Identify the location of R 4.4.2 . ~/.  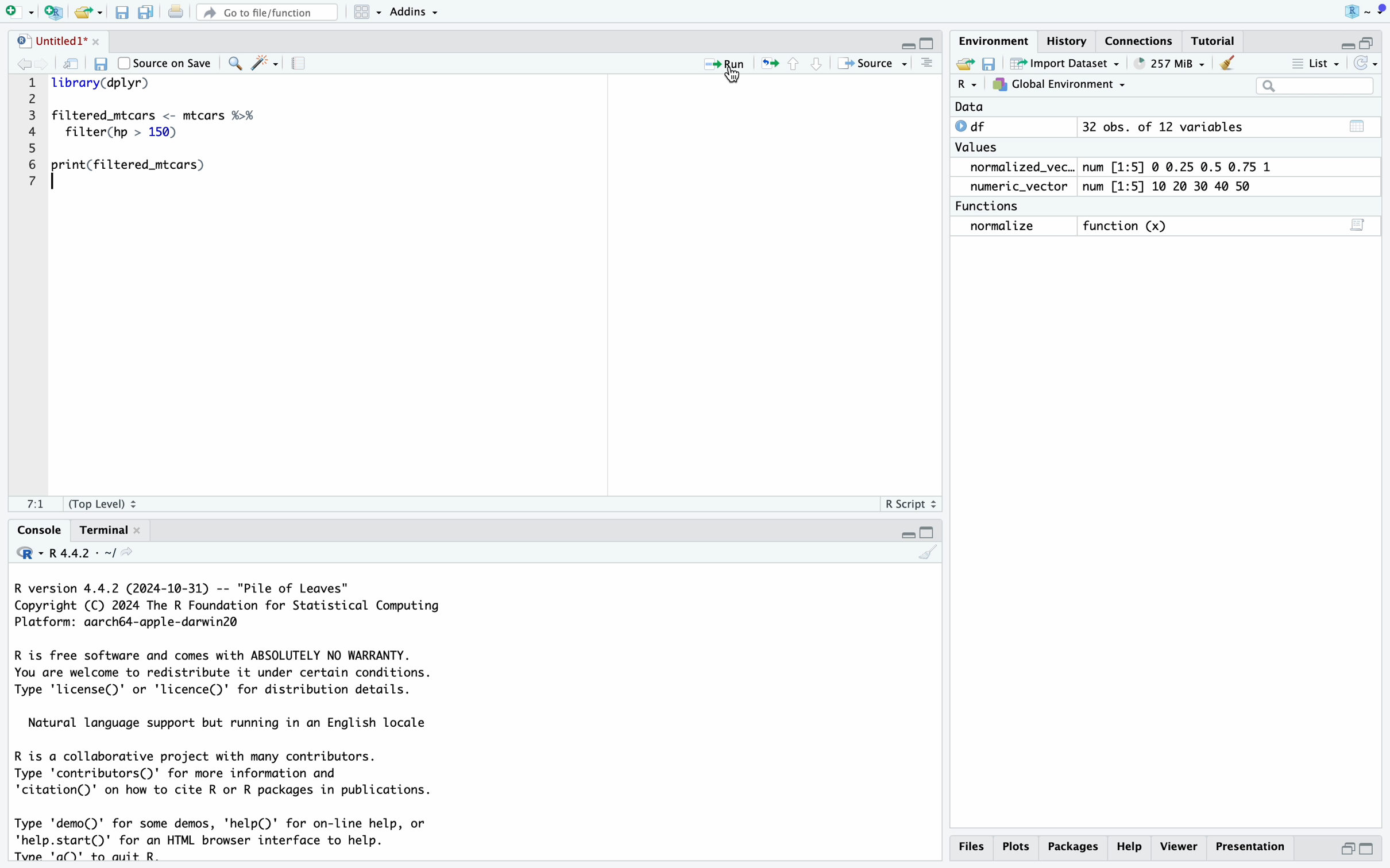
(77, 553).